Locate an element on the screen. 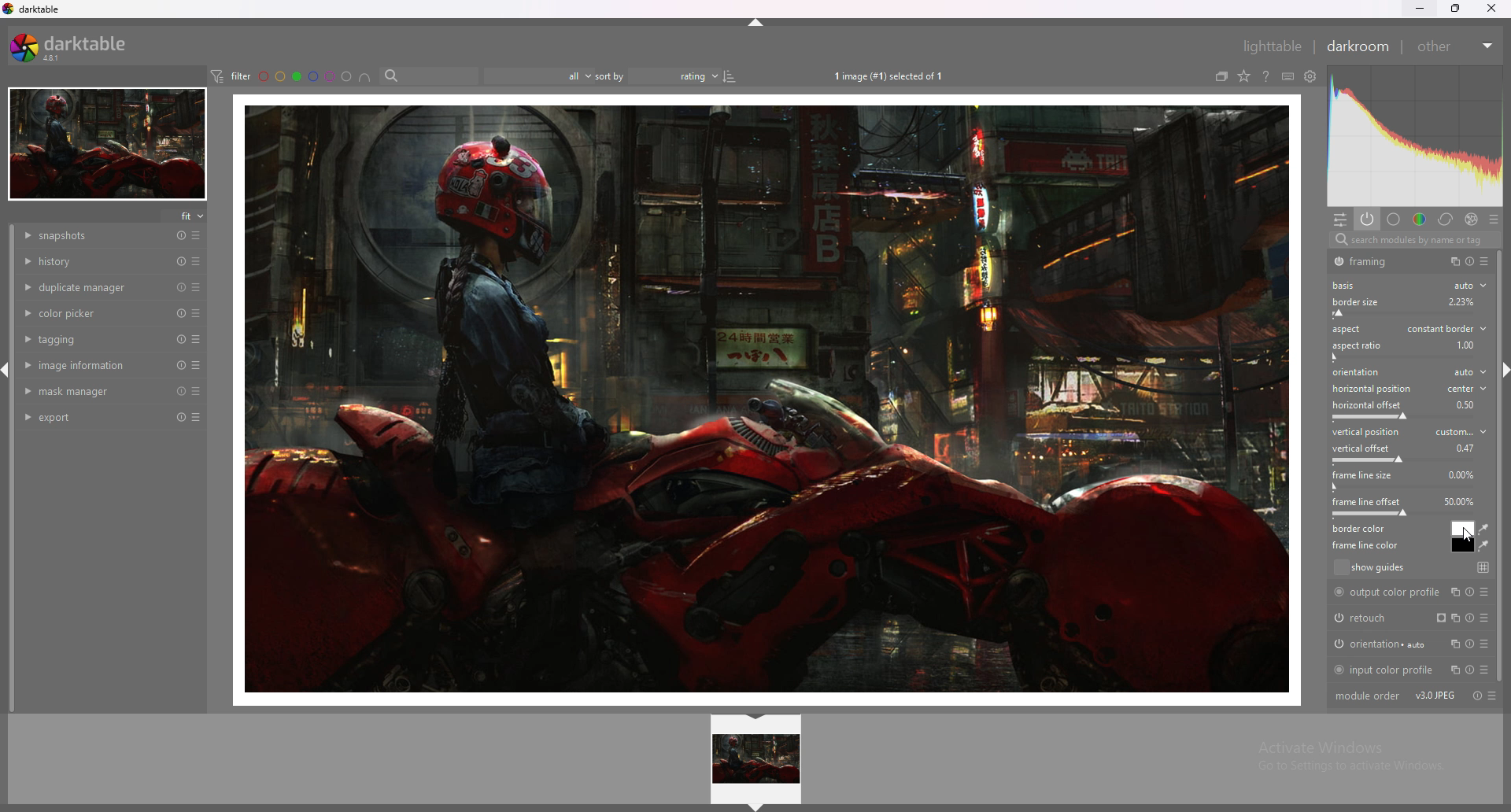 Image resolution: width=1511 pixels, height=812 pixels. reset is located at coordinates (179, 418).